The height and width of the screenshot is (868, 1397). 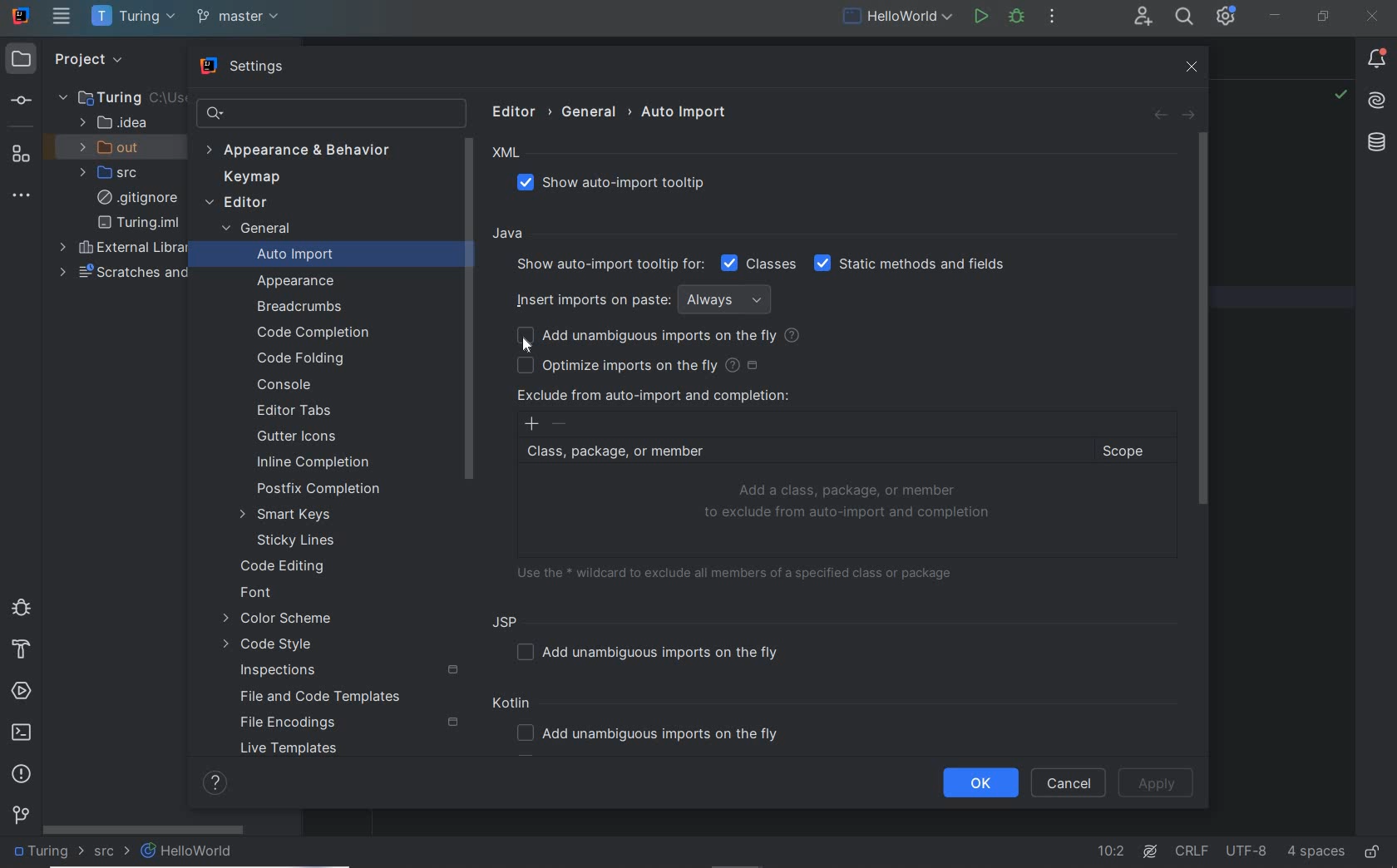 What do you see at coordinates (192, 851) in the screenshot?
I see `HELLOWORLD(FILE NAME)` at bounding box center [192, 851].